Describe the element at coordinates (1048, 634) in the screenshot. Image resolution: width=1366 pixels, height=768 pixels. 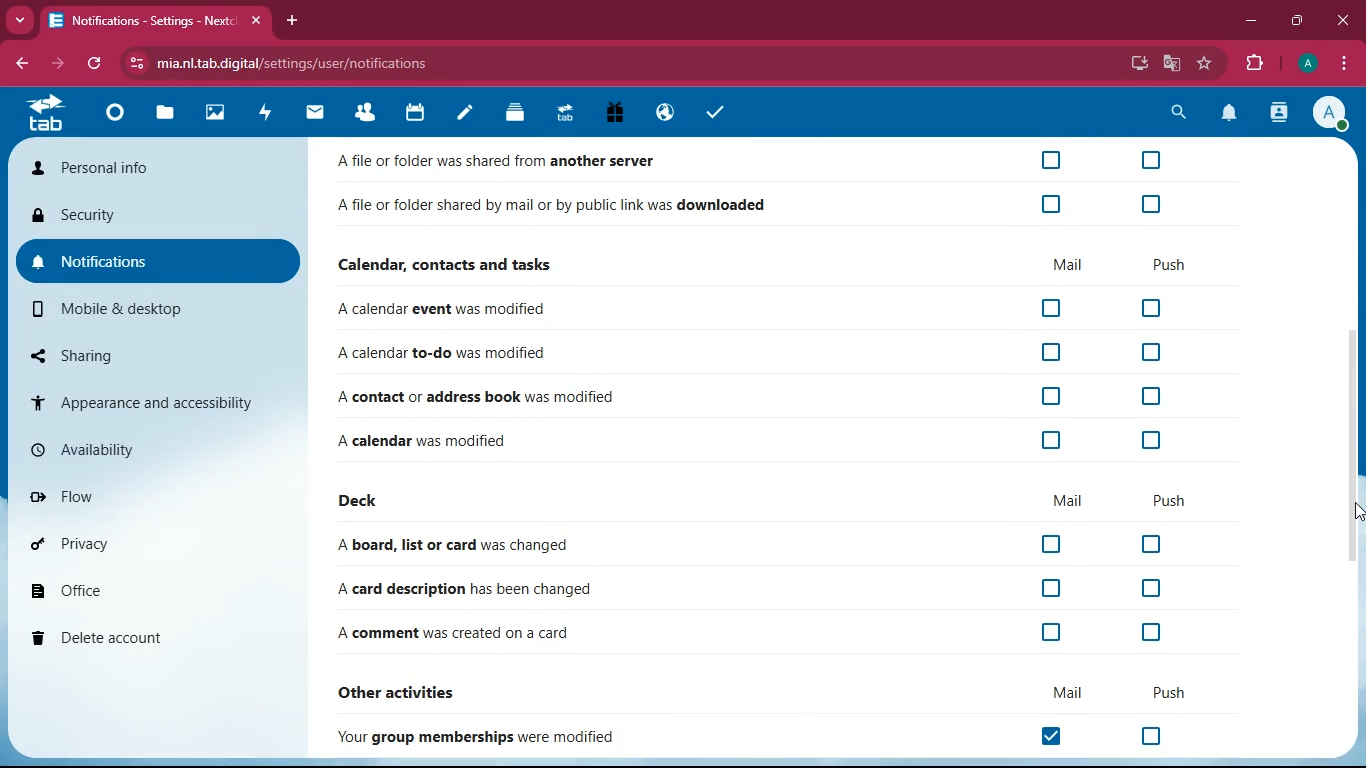
I see `off` at that location.